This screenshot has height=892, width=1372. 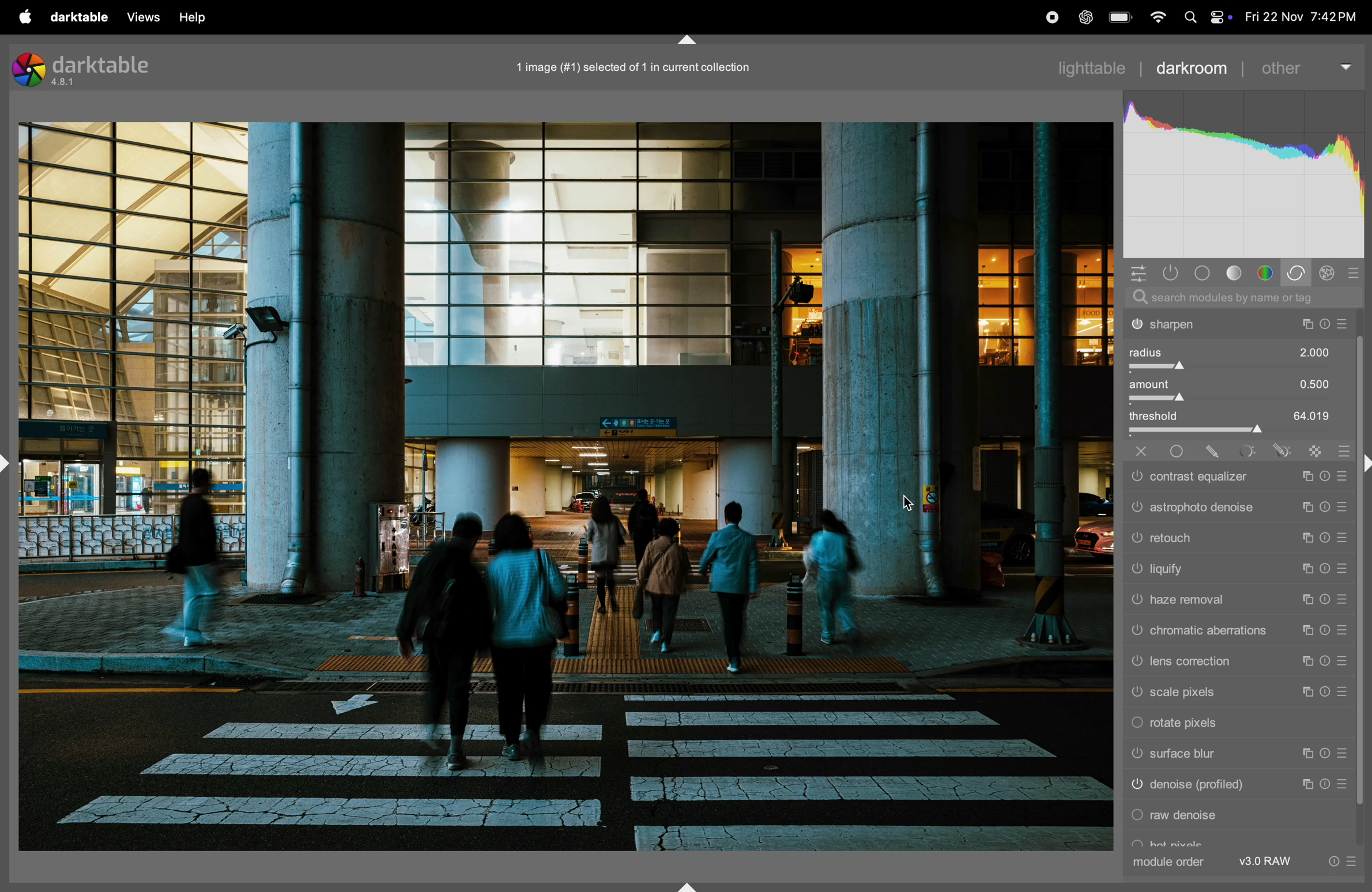 What do you see at coordinates (1238, 538) in the screenshot?
I see `retouch` at bounding box center [1238, 538].